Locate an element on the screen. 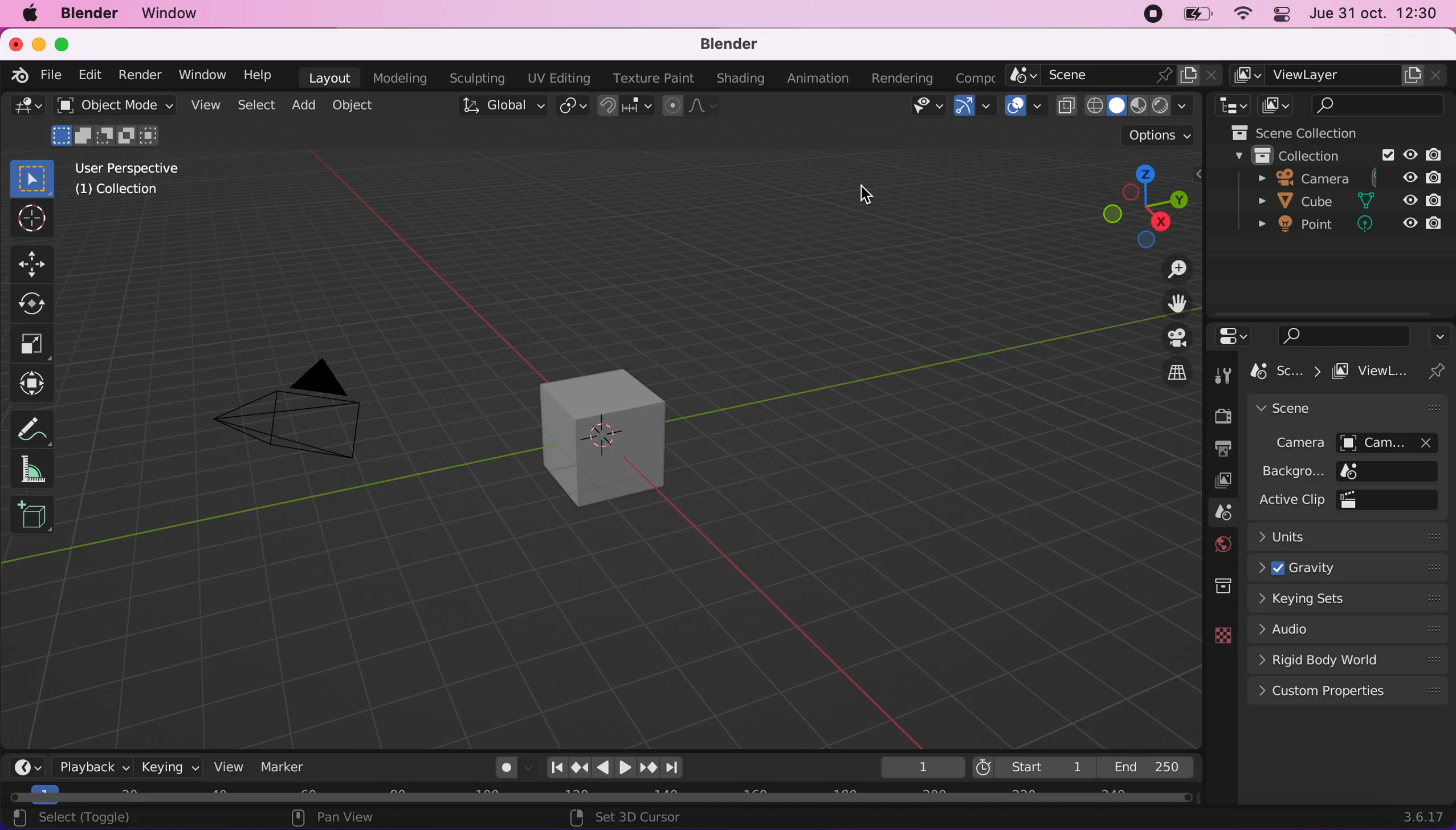  user perspective (1) collection is located at coordinates (132, 178).